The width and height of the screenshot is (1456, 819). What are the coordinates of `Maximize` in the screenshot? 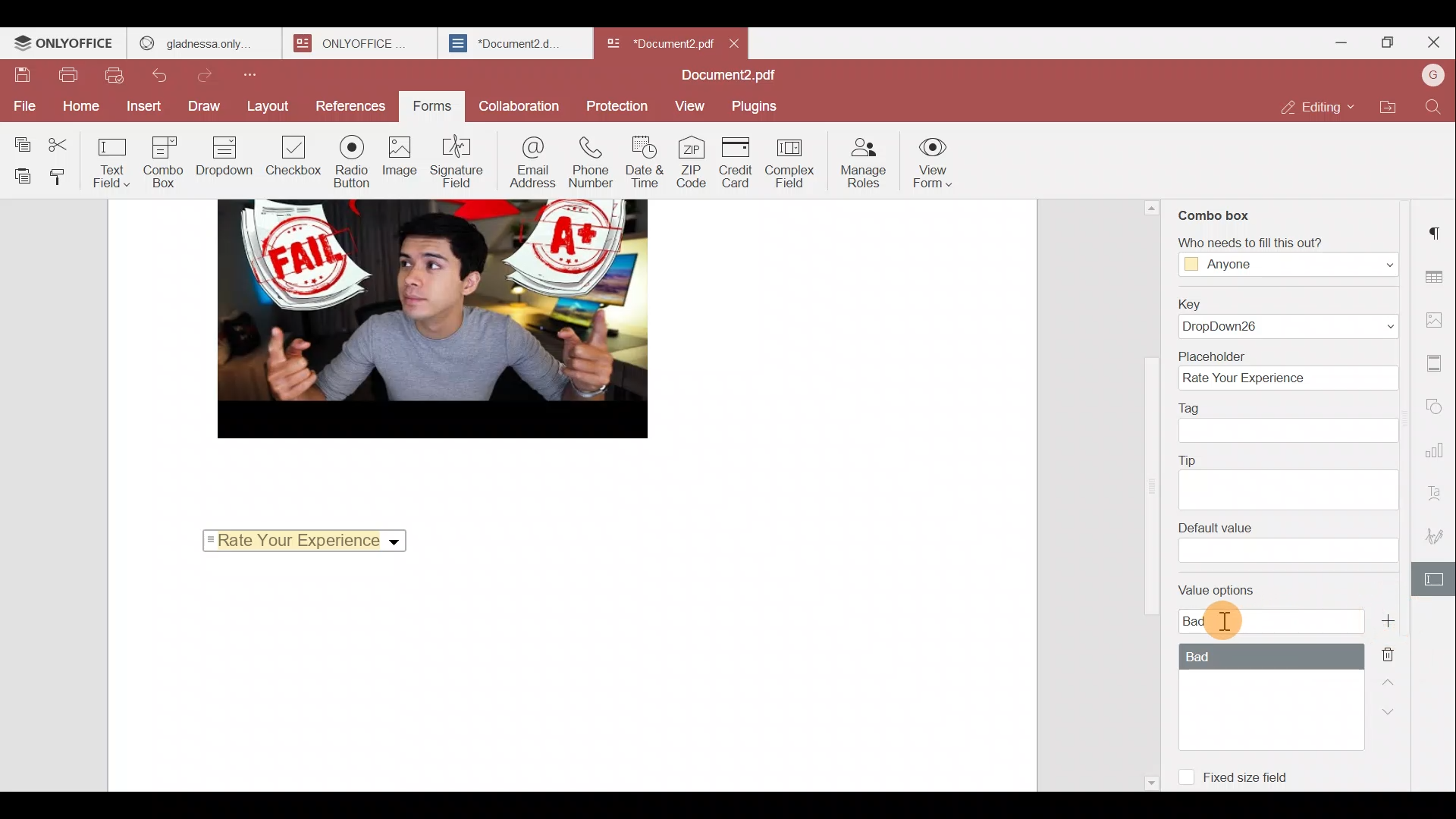 It's located at (1383, 44).